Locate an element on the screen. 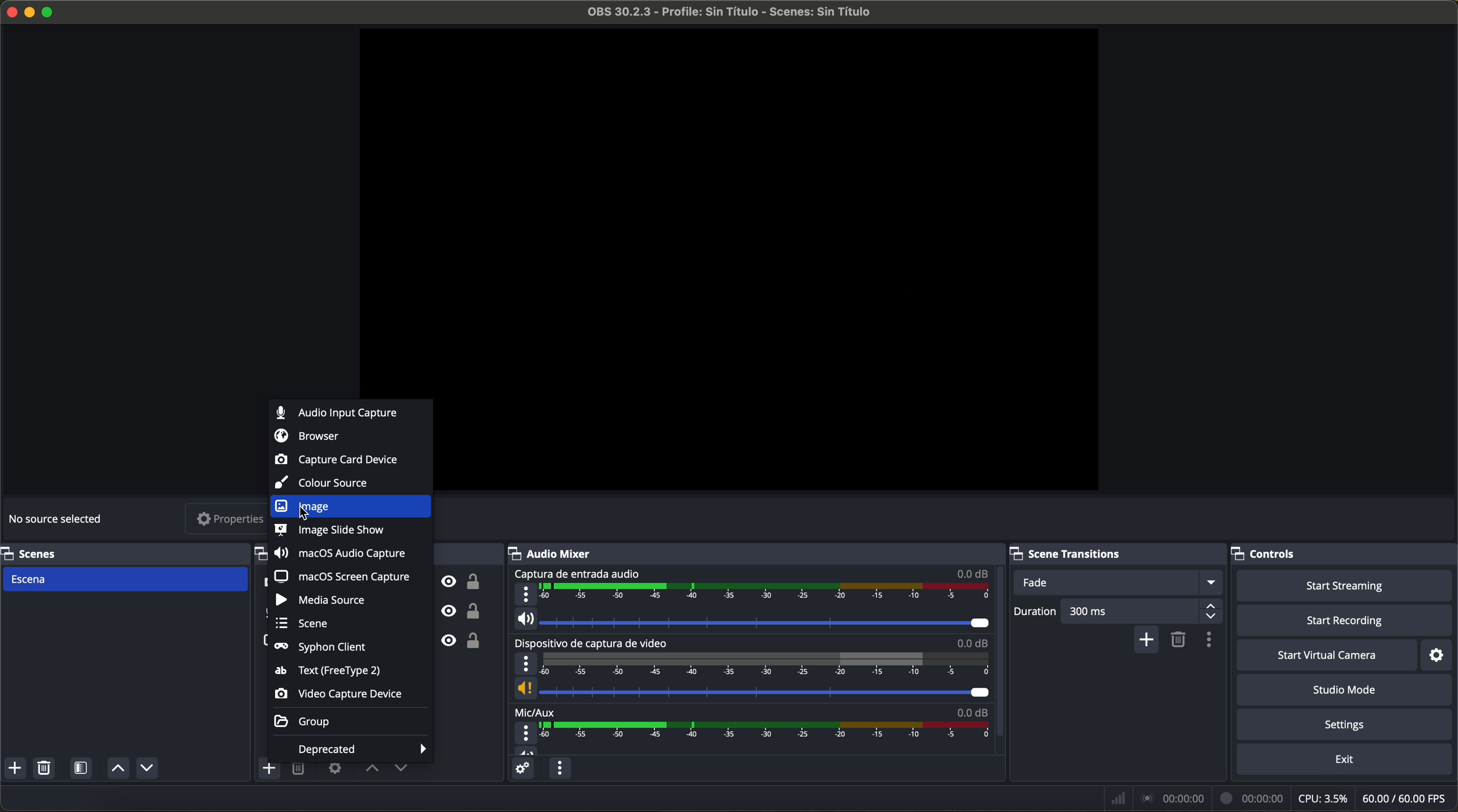 The width and height of the screenshot is (1458, 812). exit is located at coordinates (1346, 761).